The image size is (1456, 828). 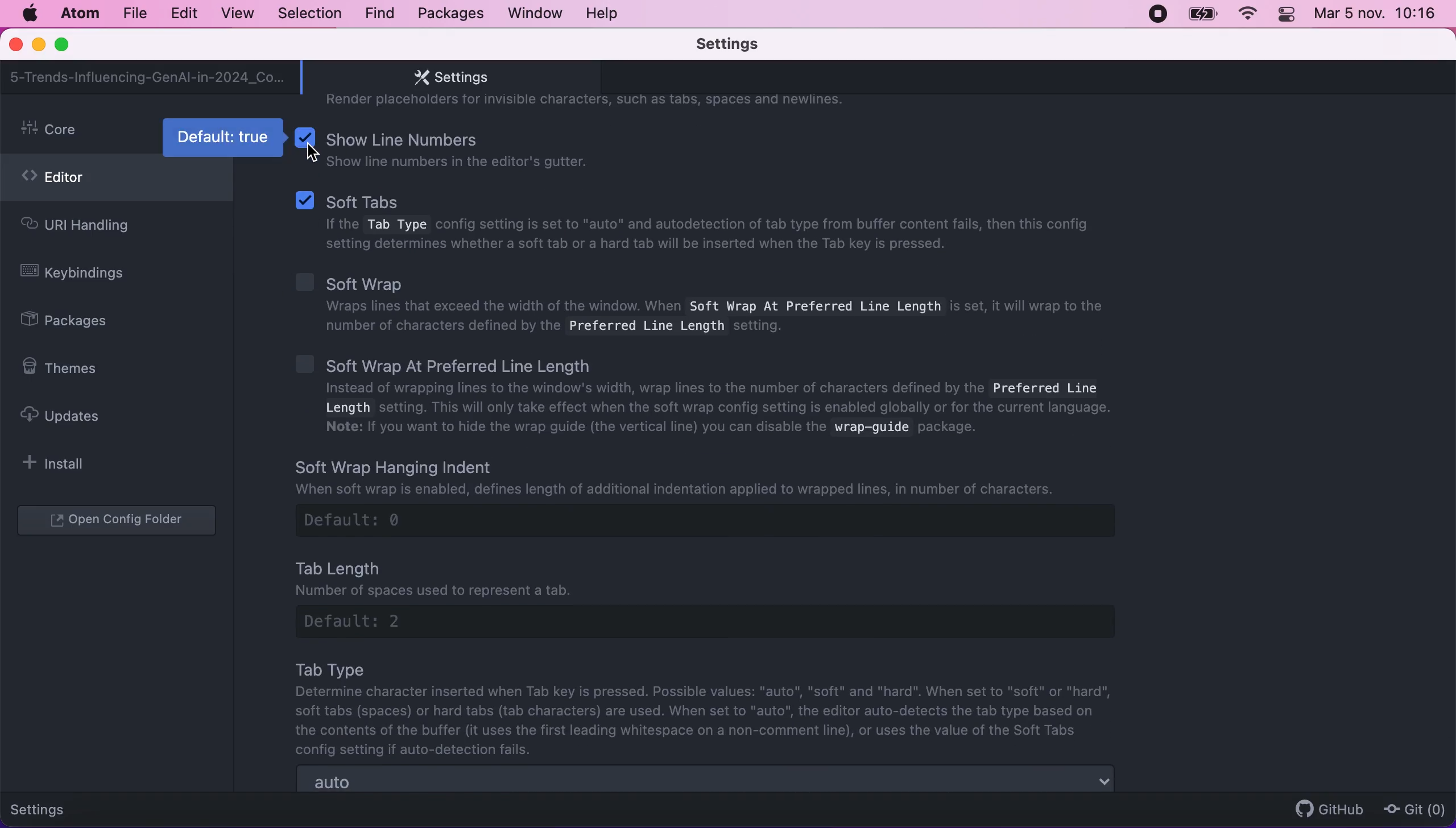 What do you see at coordinates (1324, 809) in the screenshot?
I see `github` at bounding box center [1324, 809].